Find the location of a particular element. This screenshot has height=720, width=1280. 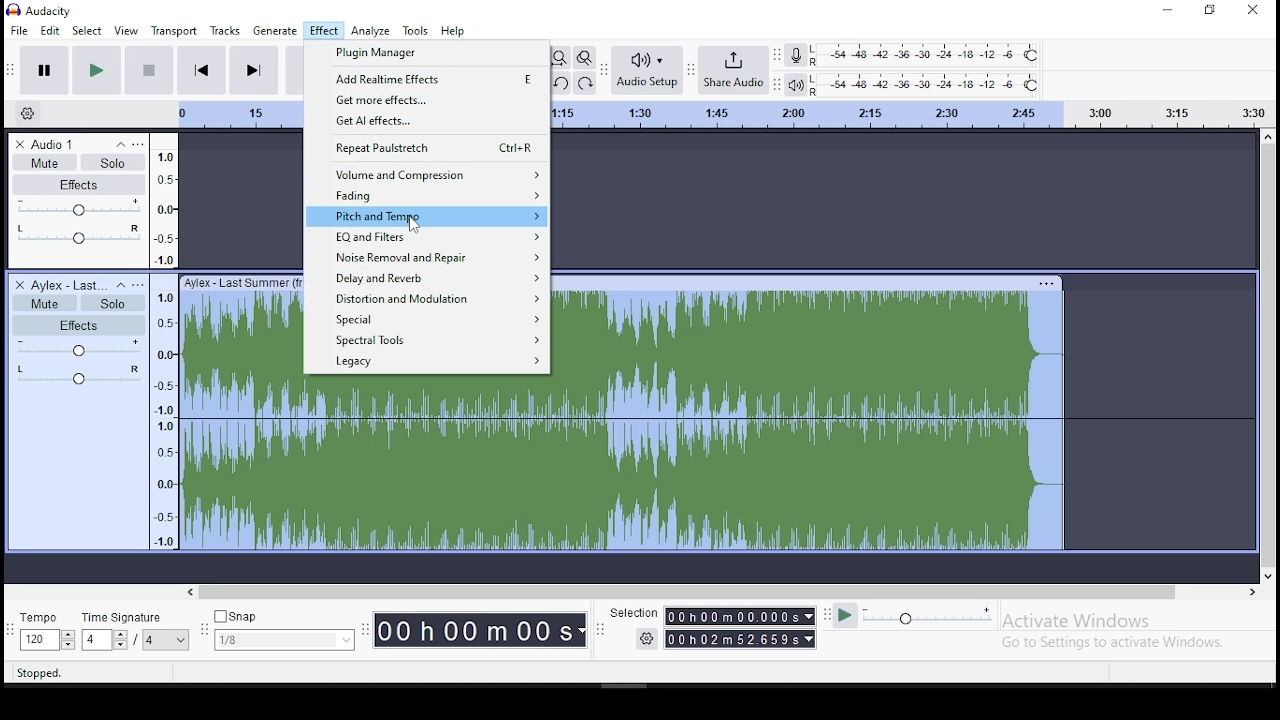

audio track is located at coordinates (426, 462).